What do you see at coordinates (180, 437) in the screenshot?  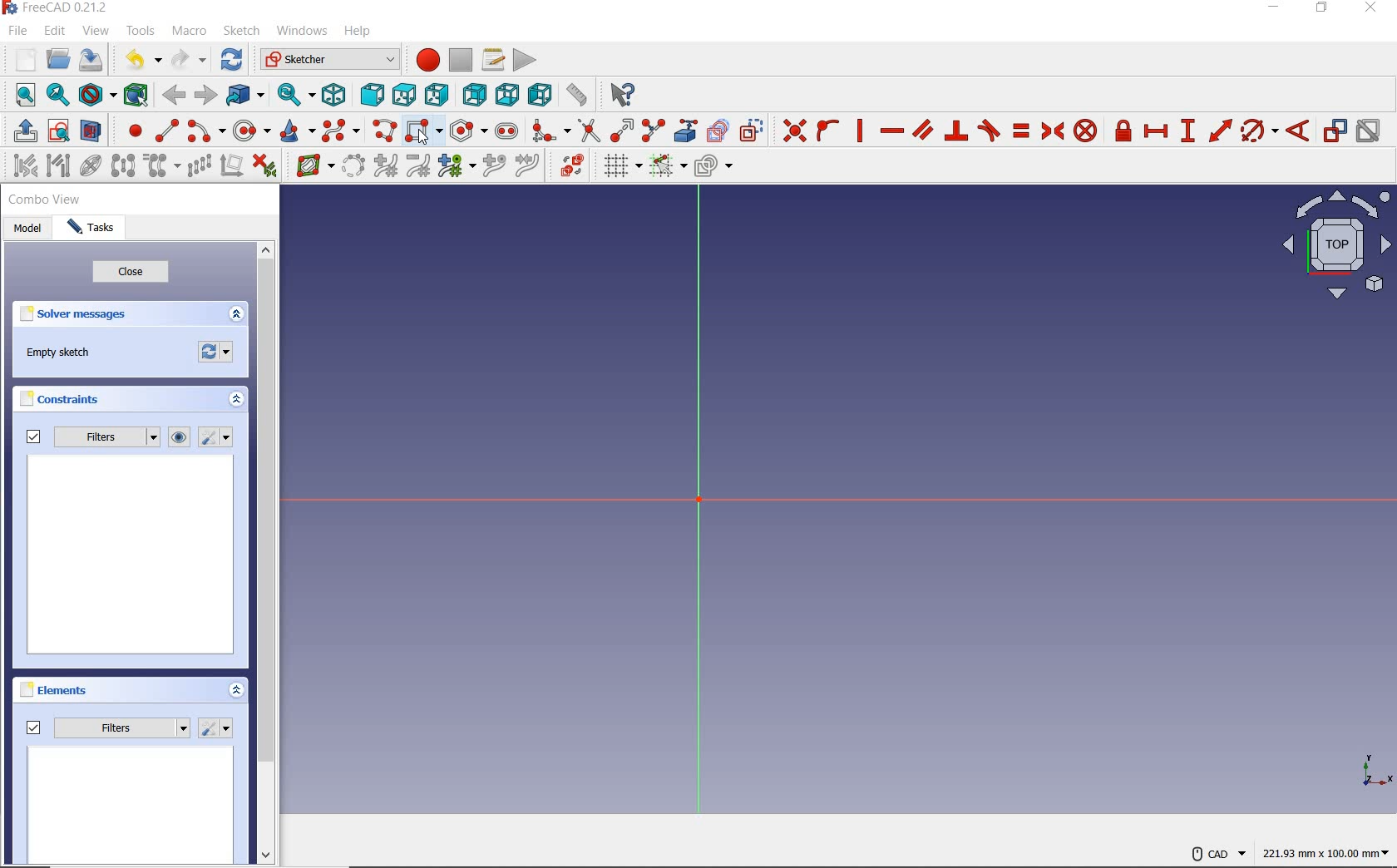 I see `show or hide all listed constraints from 3D view` at bounding box center [180, 437].